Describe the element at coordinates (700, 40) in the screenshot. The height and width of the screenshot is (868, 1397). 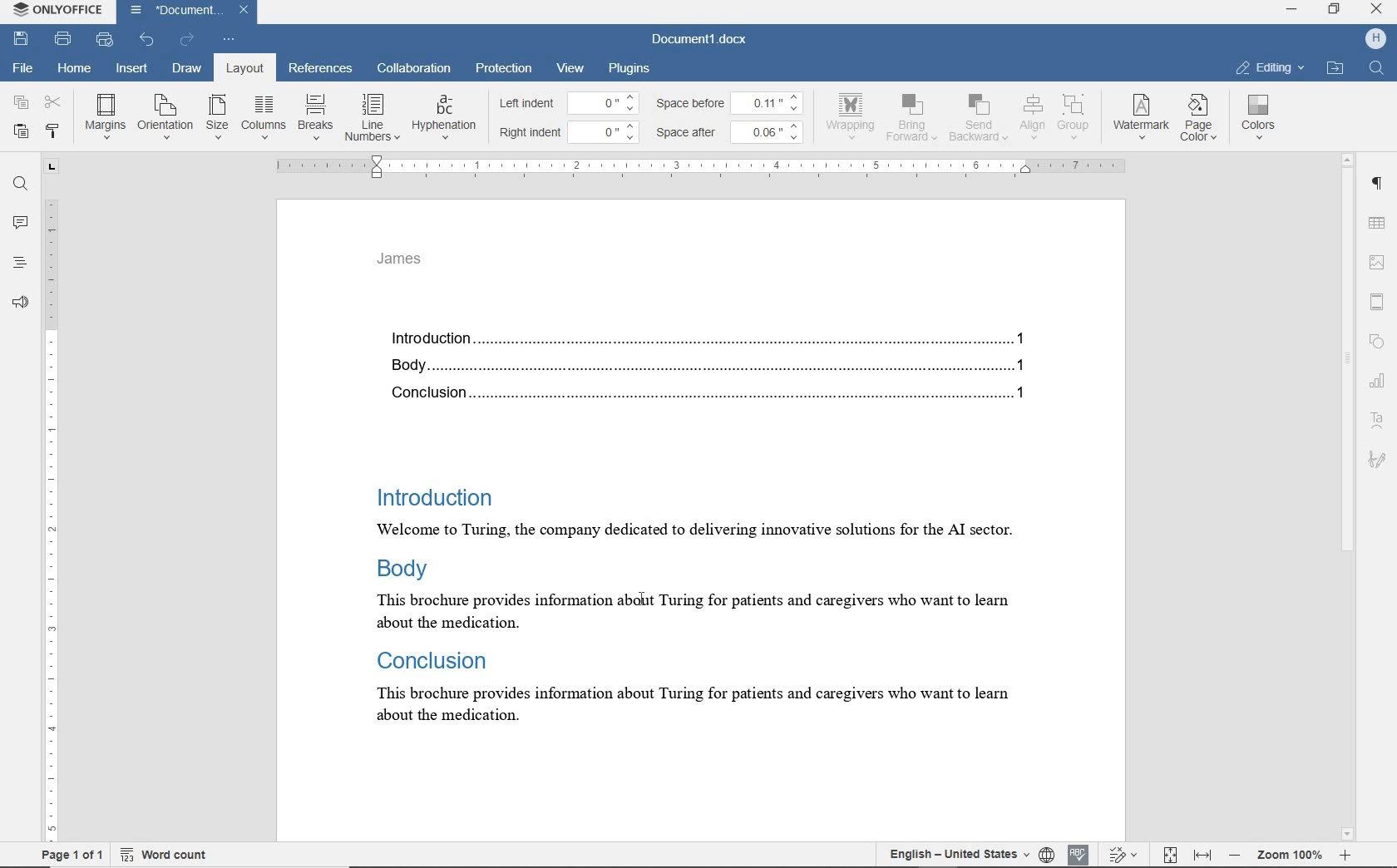
I see `document name` at that location.